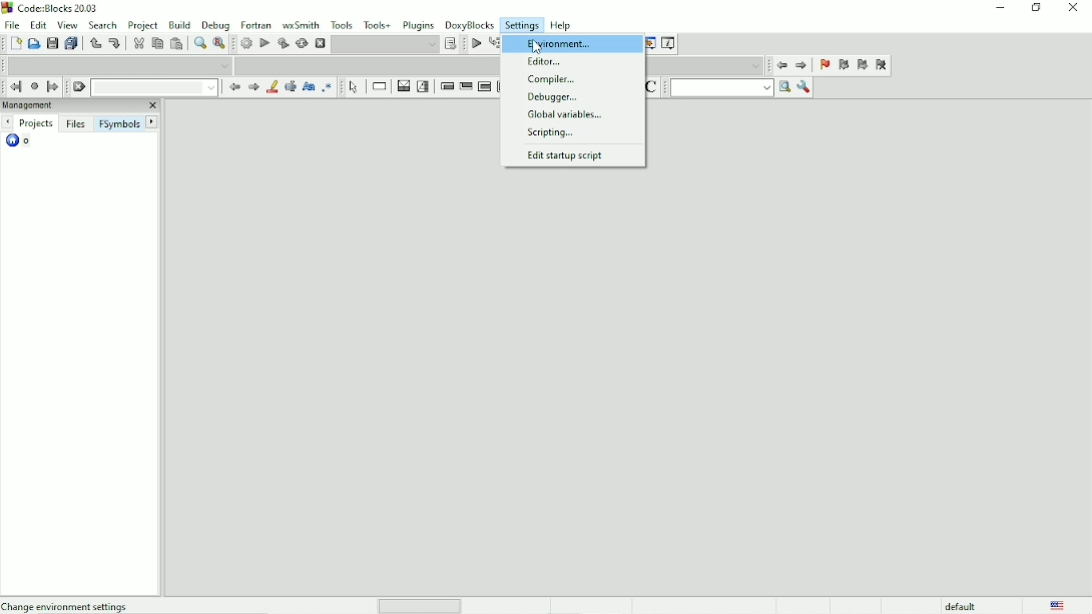 This screenshot has height=614, width=1092. Describe the element at coordinates (300, 44) in the screenshot. I see `Rebuild` at that location.